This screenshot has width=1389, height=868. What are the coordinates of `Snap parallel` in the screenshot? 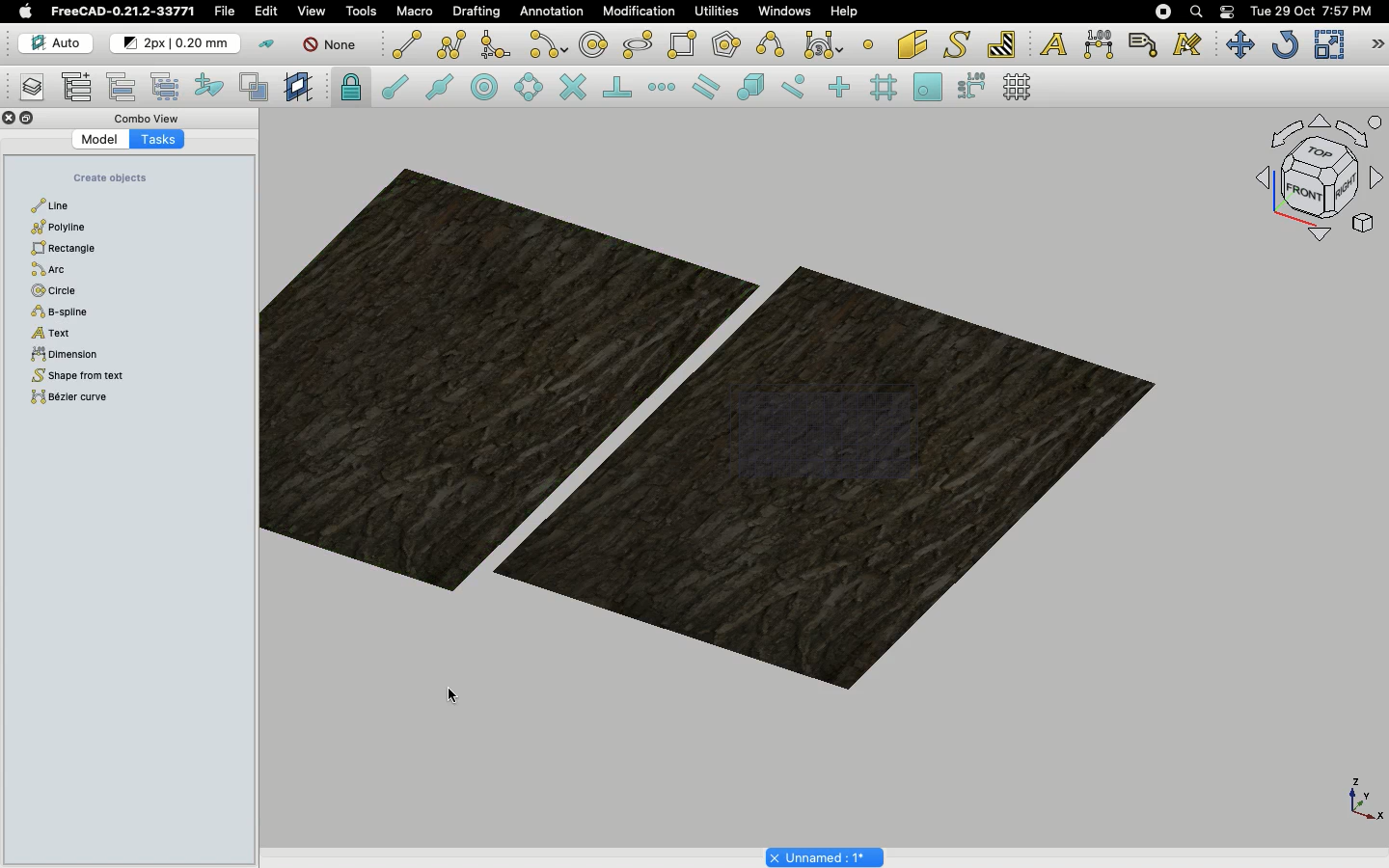 It's located at (706, 87).